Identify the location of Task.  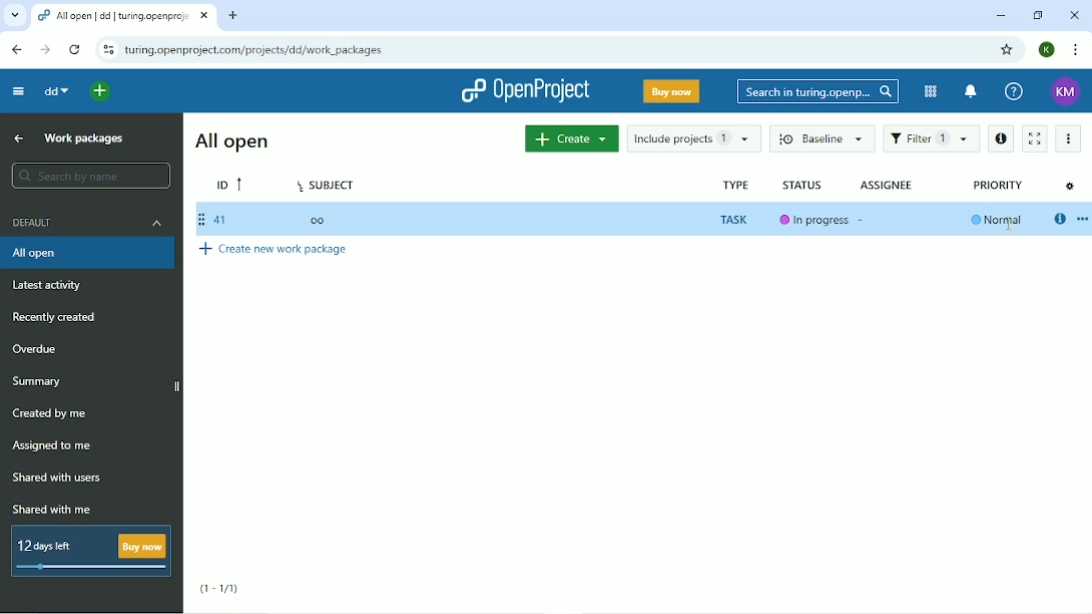
(736, 219).